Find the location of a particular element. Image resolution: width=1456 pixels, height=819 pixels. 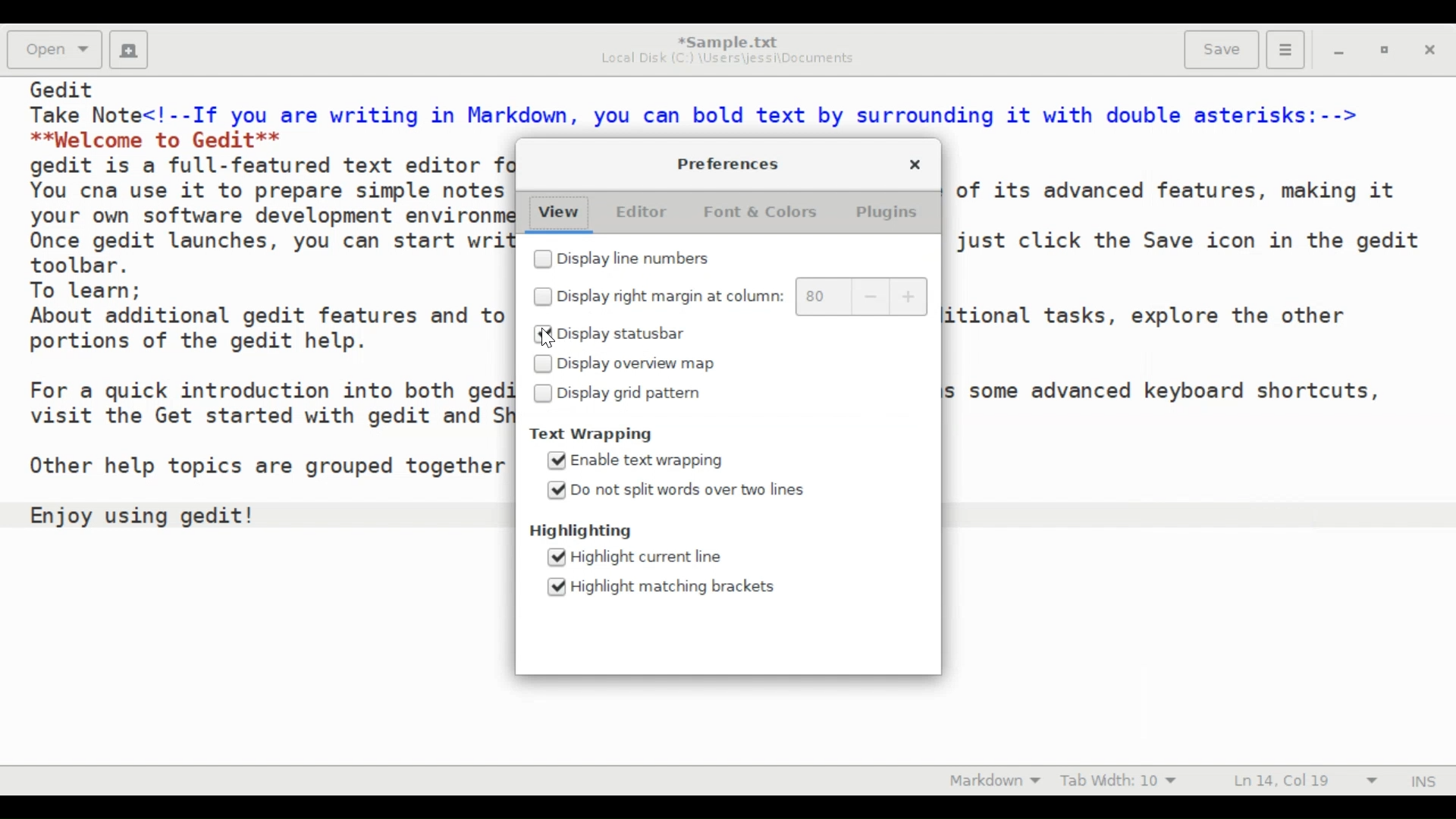

(un)select Display line numbers is located at coordinates (631, 259).